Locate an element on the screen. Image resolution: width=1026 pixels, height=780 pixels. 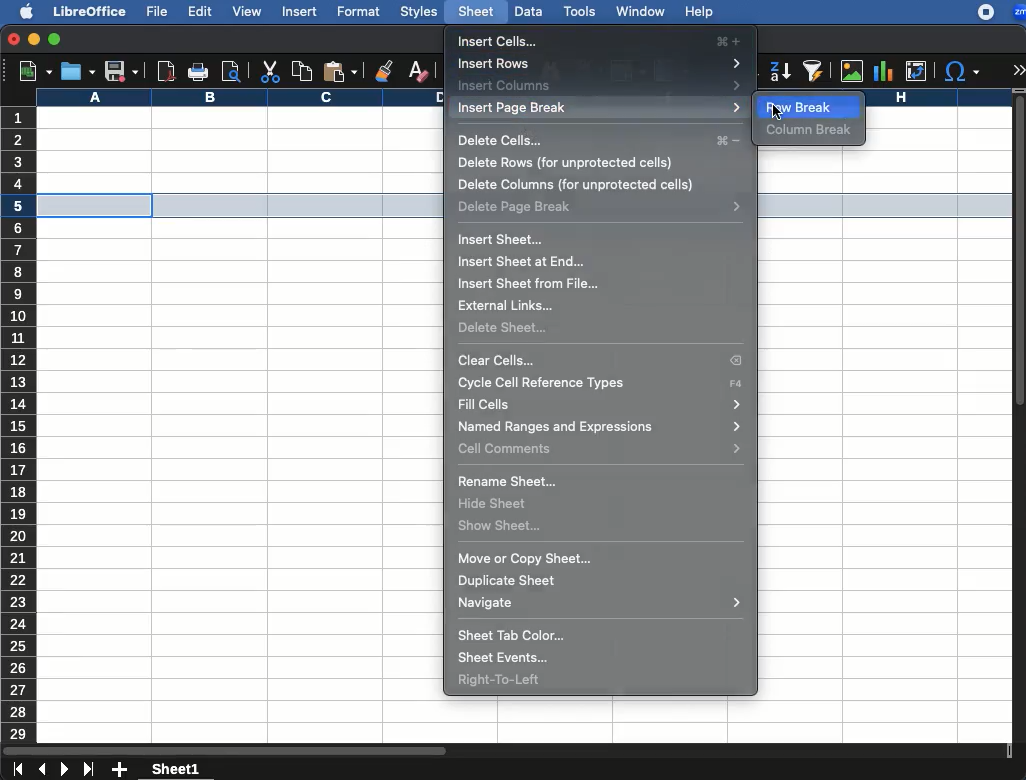
external links is located at coordinates (507, 306).